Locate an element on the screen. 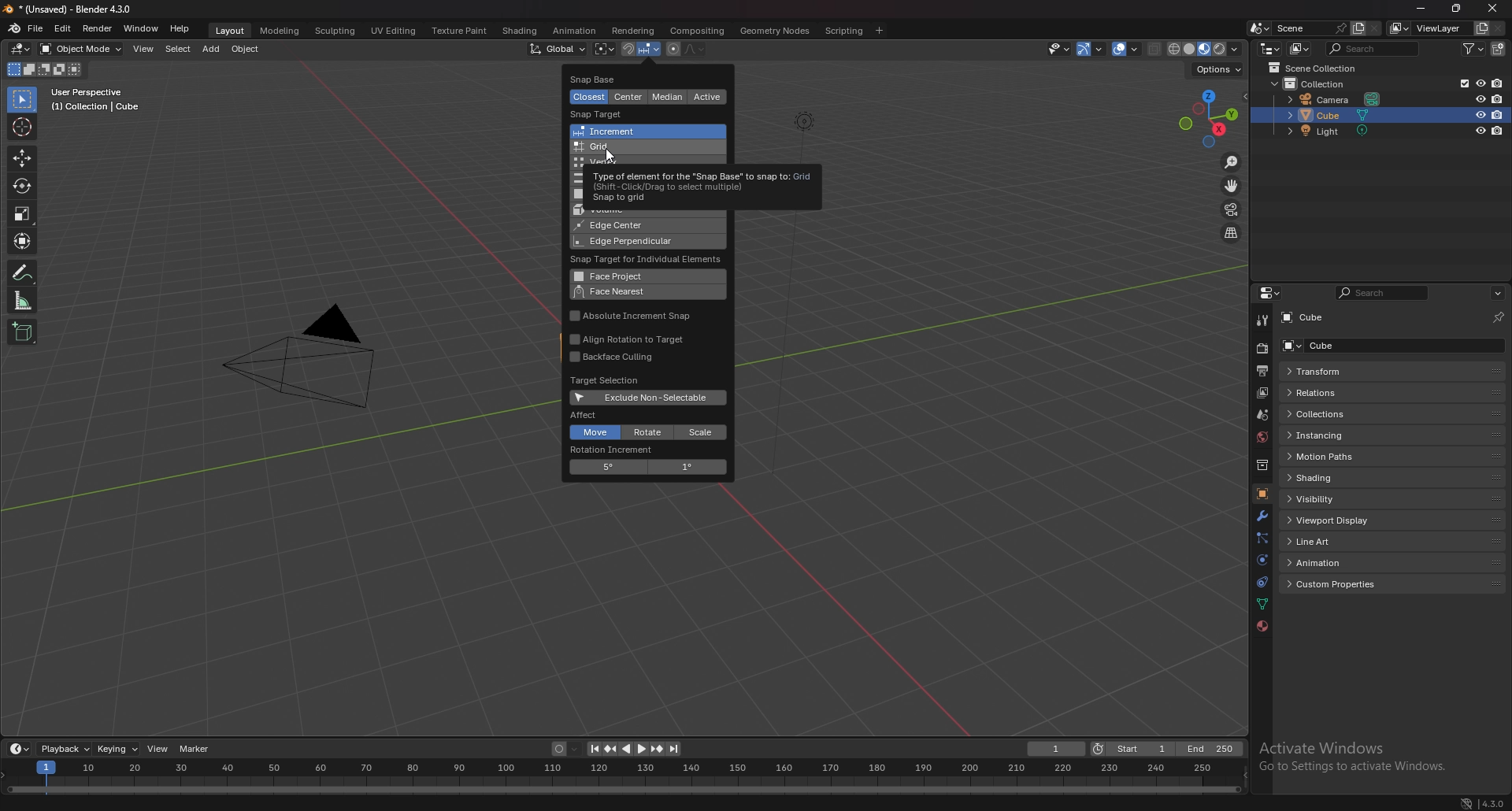 Image resolution: width=1512 pixels, height=811 pixels. cube is located at coordinates (1340, 345).